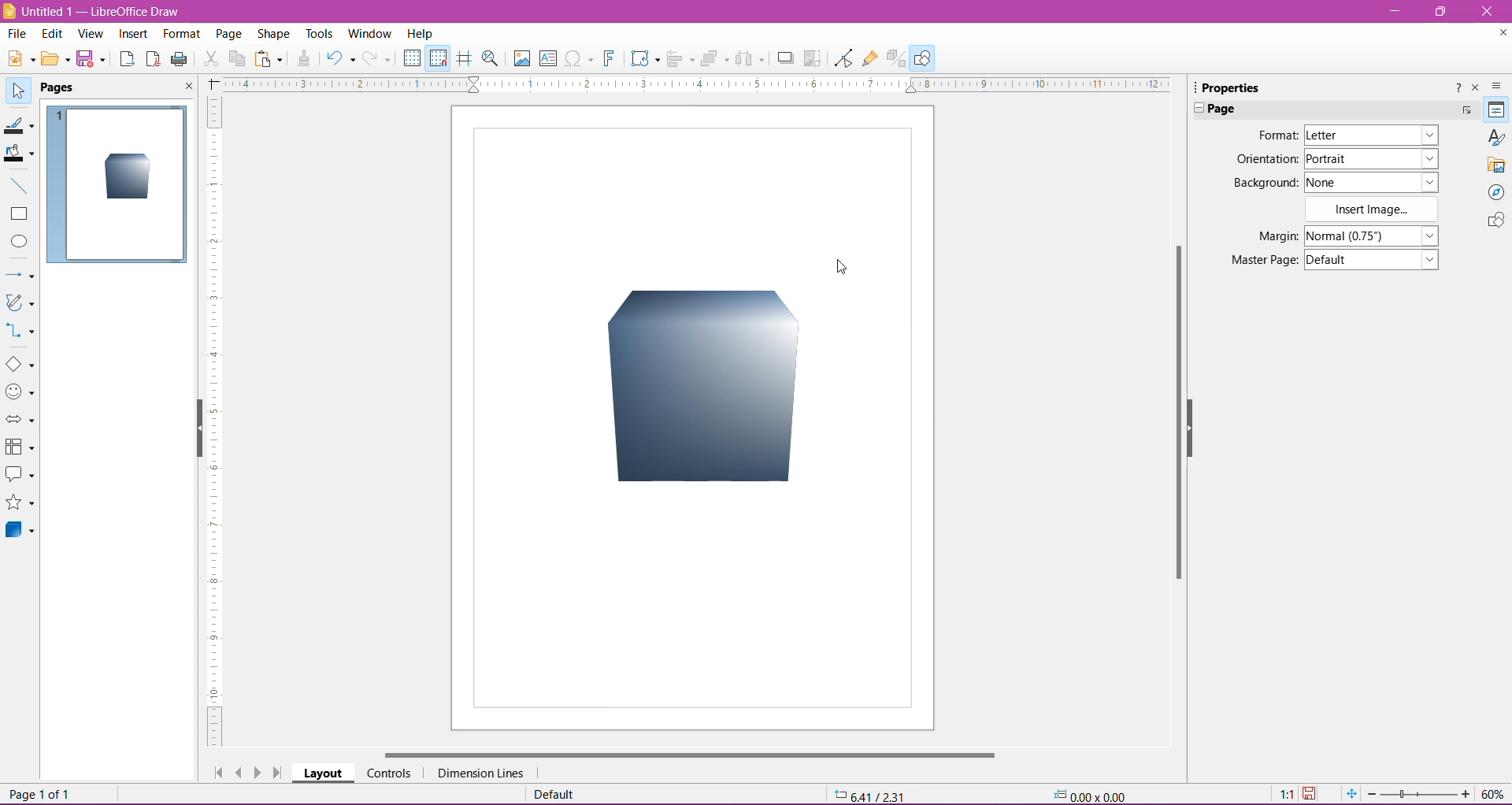 Image resolution: width=1512 pixels, height=805 pixels. What do you see at coordinates (153, 61) in the screenshot?
I see `Export as PDF` at bounding box center [153, 61].